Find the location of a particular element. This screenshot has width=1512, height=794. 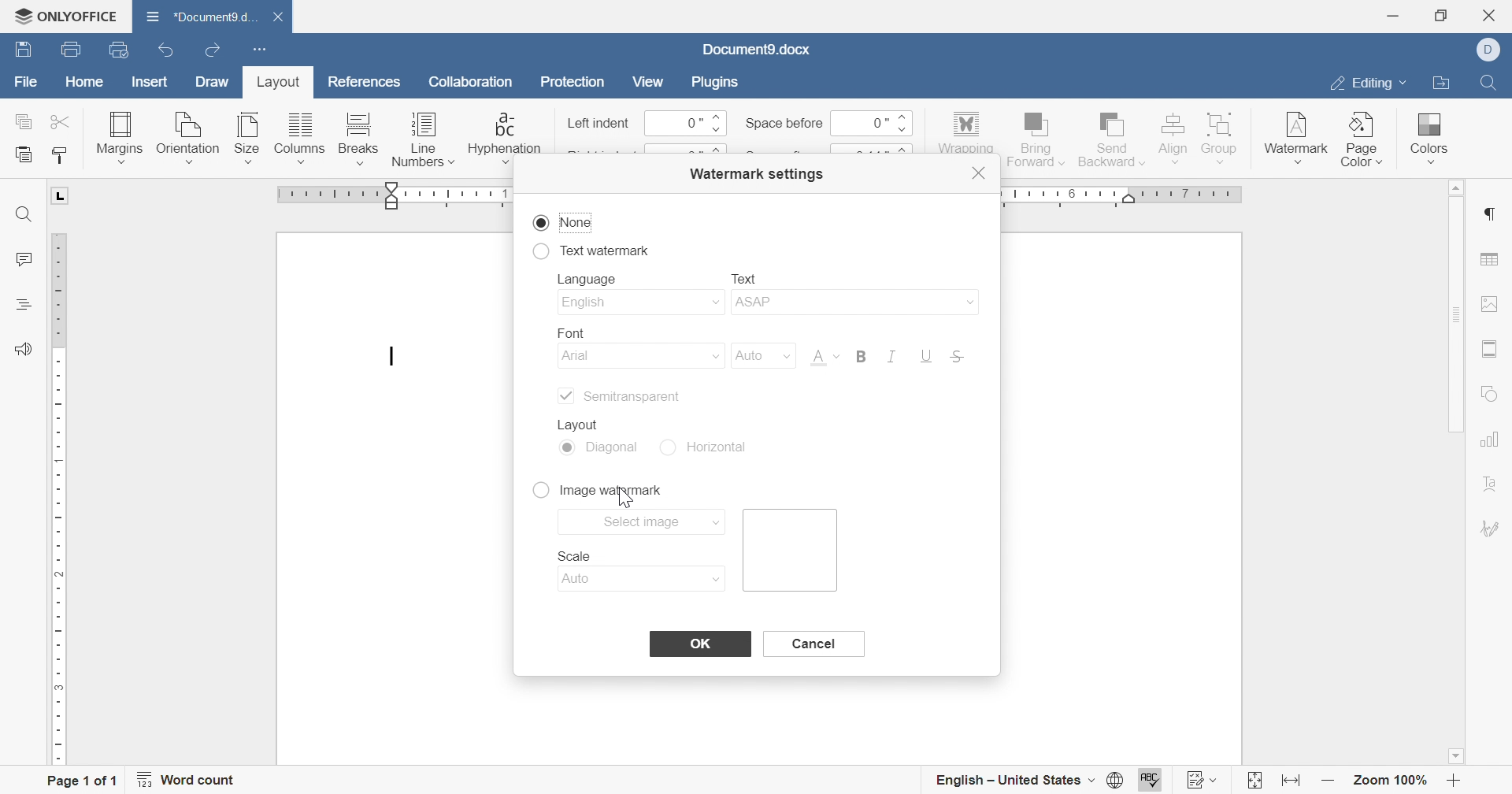

box is located at coordinates (793, 550).